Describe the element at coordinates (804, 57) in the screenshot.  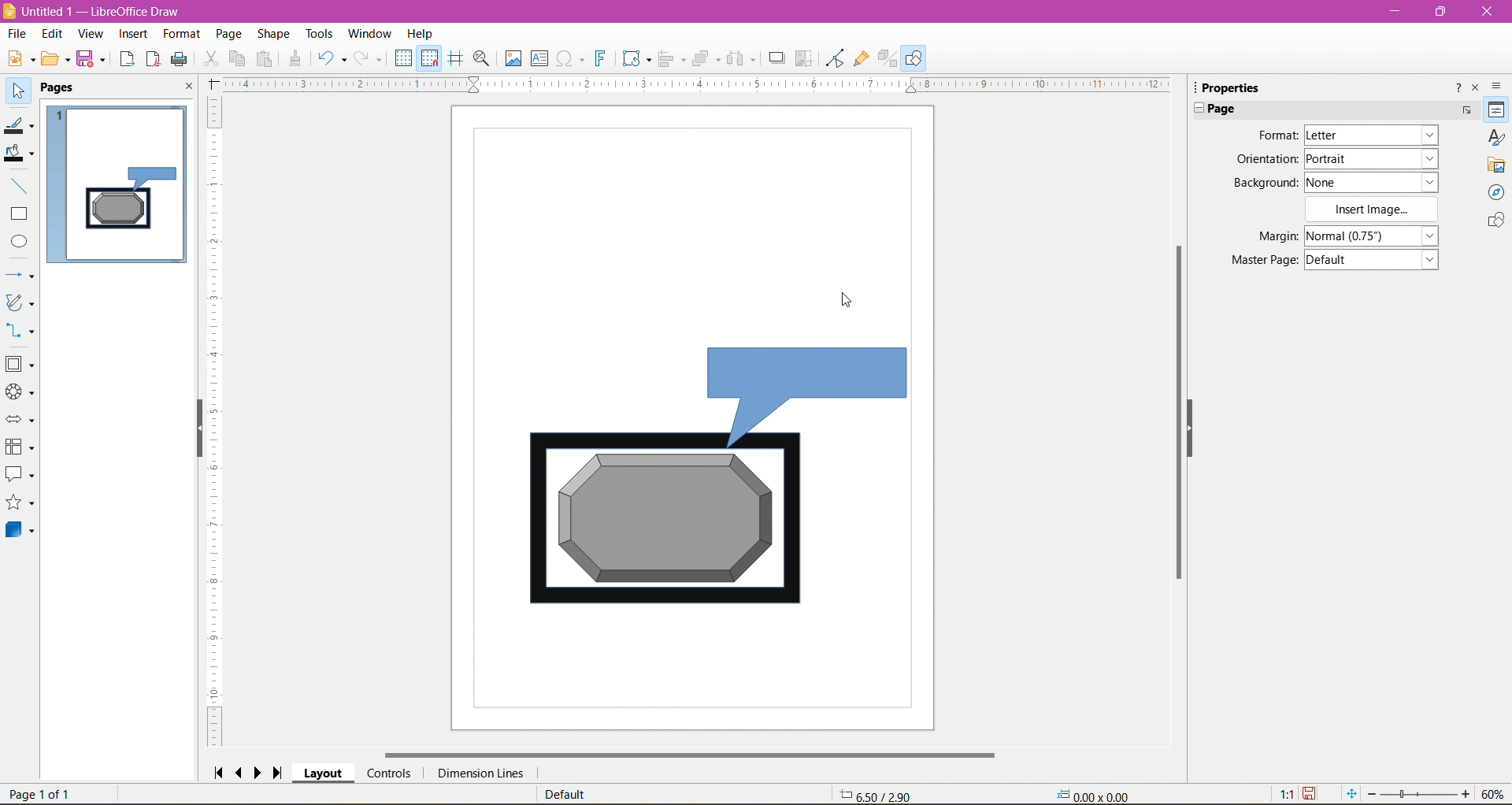
I see `Crop Image` at that location.